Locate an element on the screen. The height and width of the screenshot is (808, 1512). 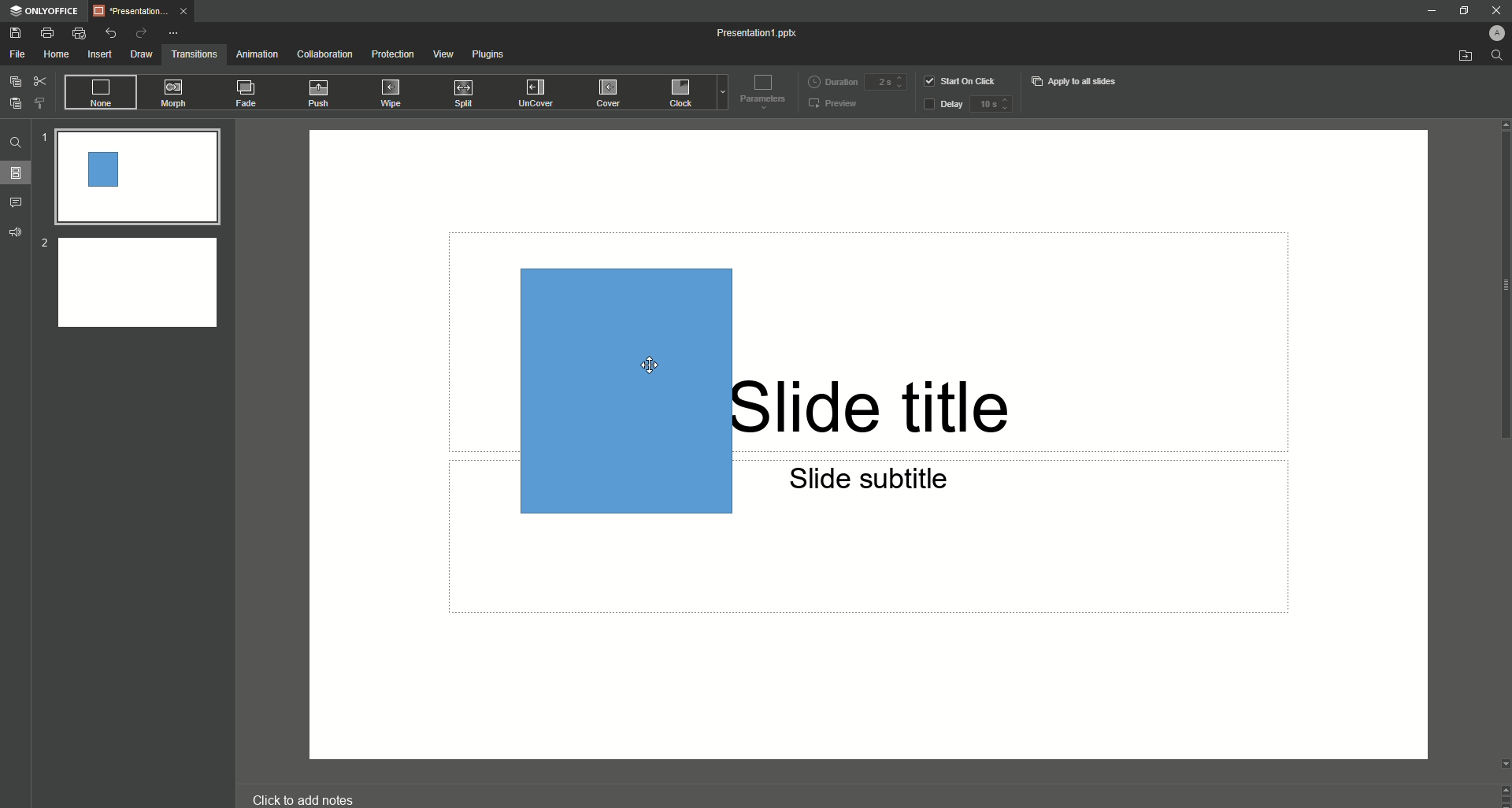
scroll bar is located at coordinates (1503, 285).